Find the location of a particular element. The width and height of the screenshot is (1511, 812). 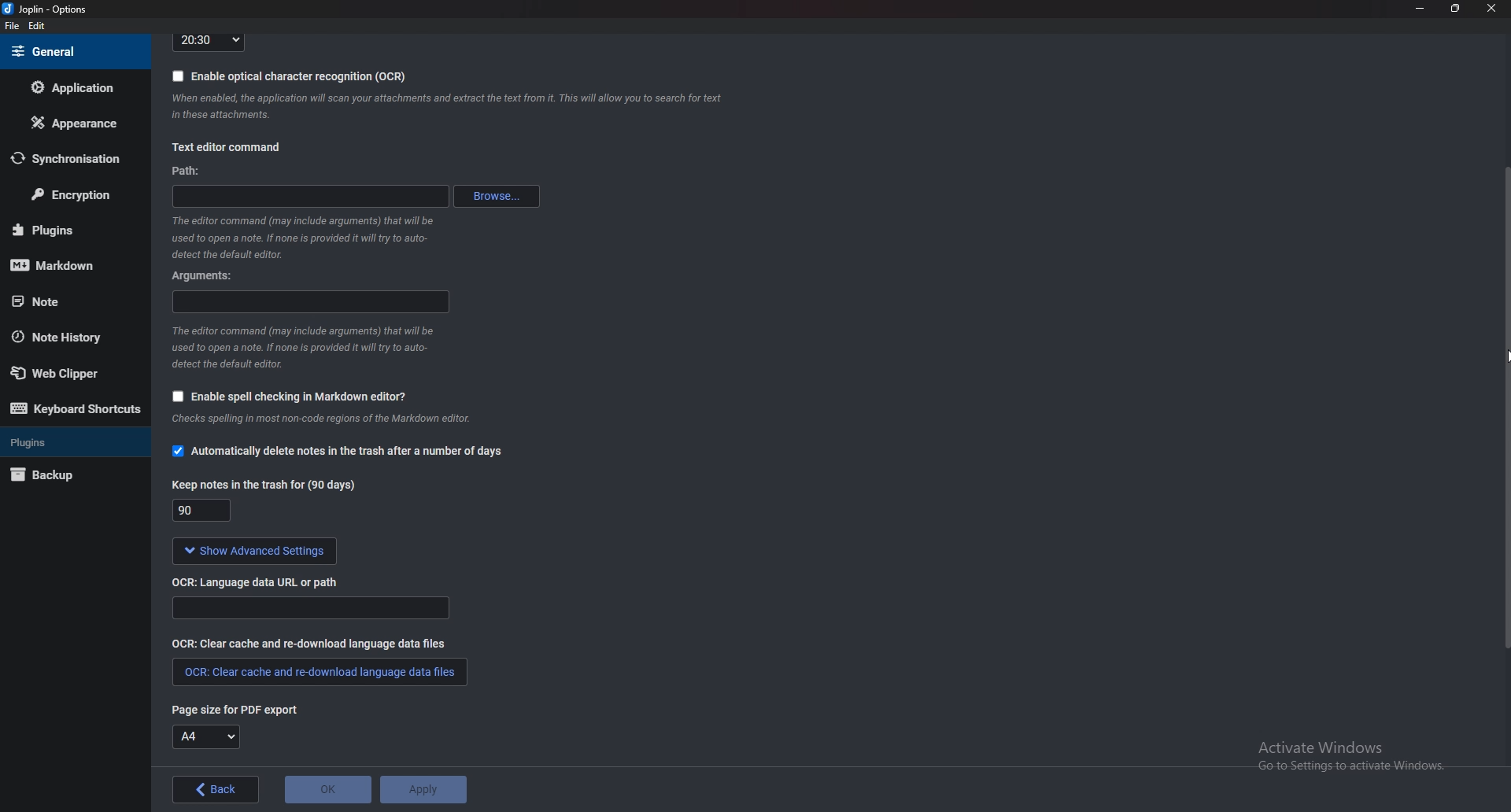

path is located at coordinates (316, 194).